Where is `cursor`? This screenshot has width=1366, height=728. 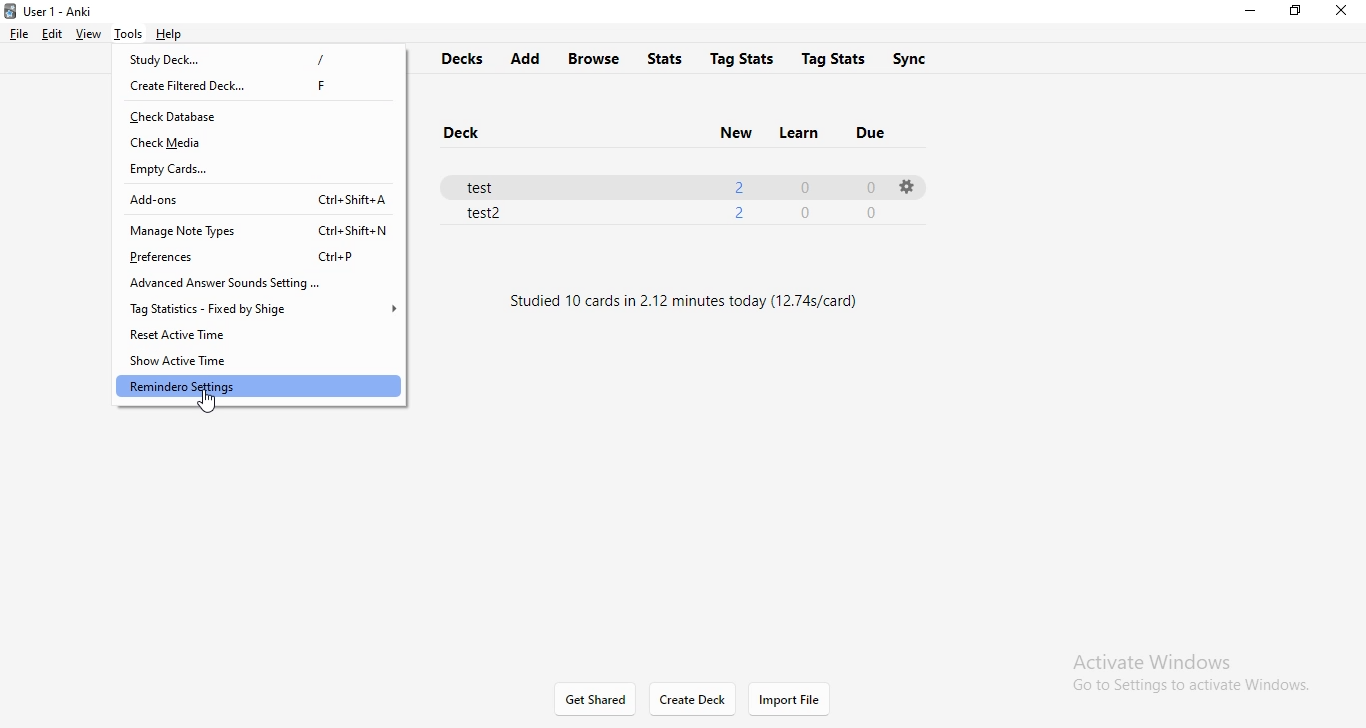 cursor is located at coordinates (209, 406).